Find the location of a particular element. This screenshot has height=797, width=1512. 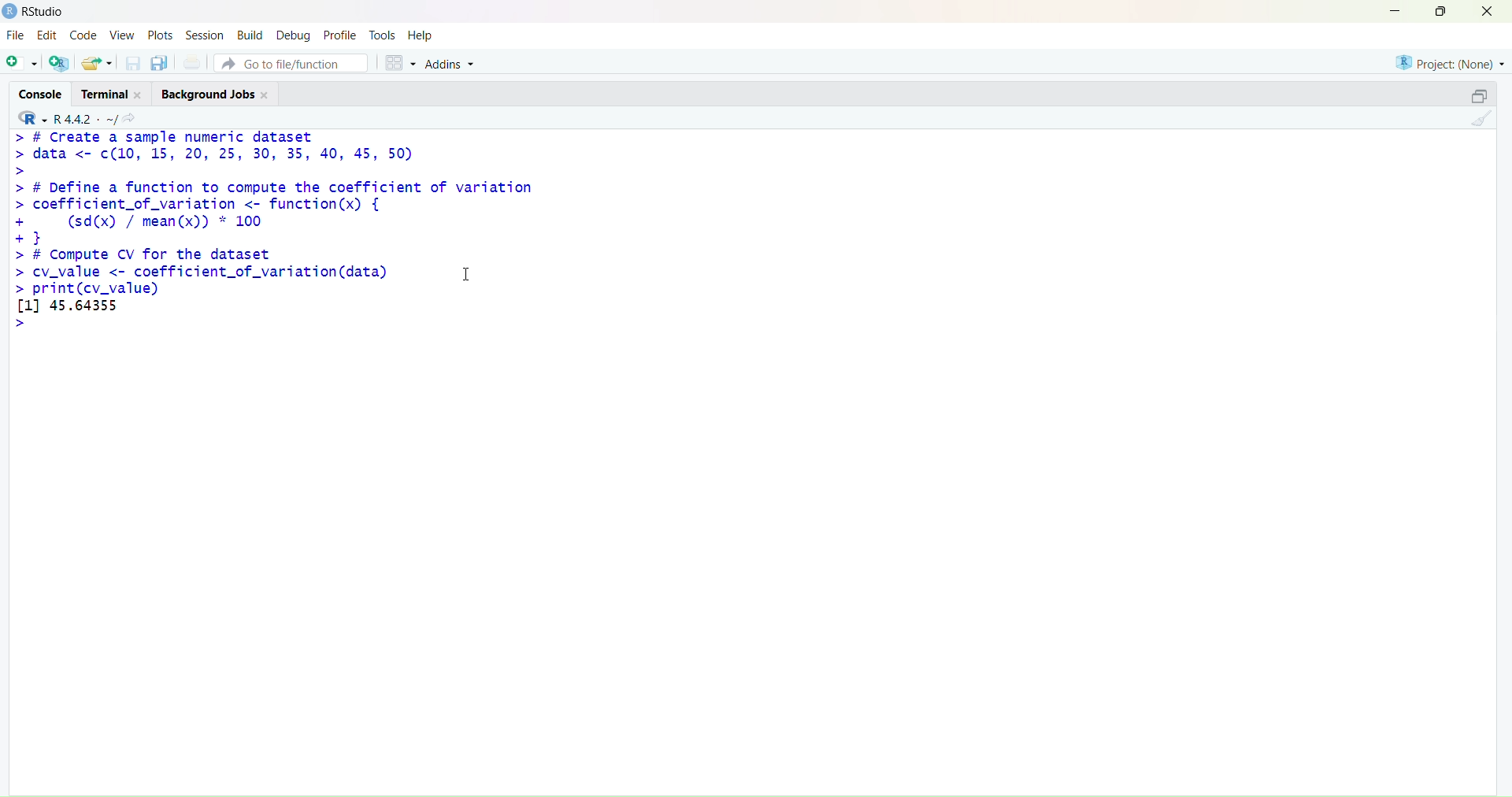

session is located at coordinates (205, 35).